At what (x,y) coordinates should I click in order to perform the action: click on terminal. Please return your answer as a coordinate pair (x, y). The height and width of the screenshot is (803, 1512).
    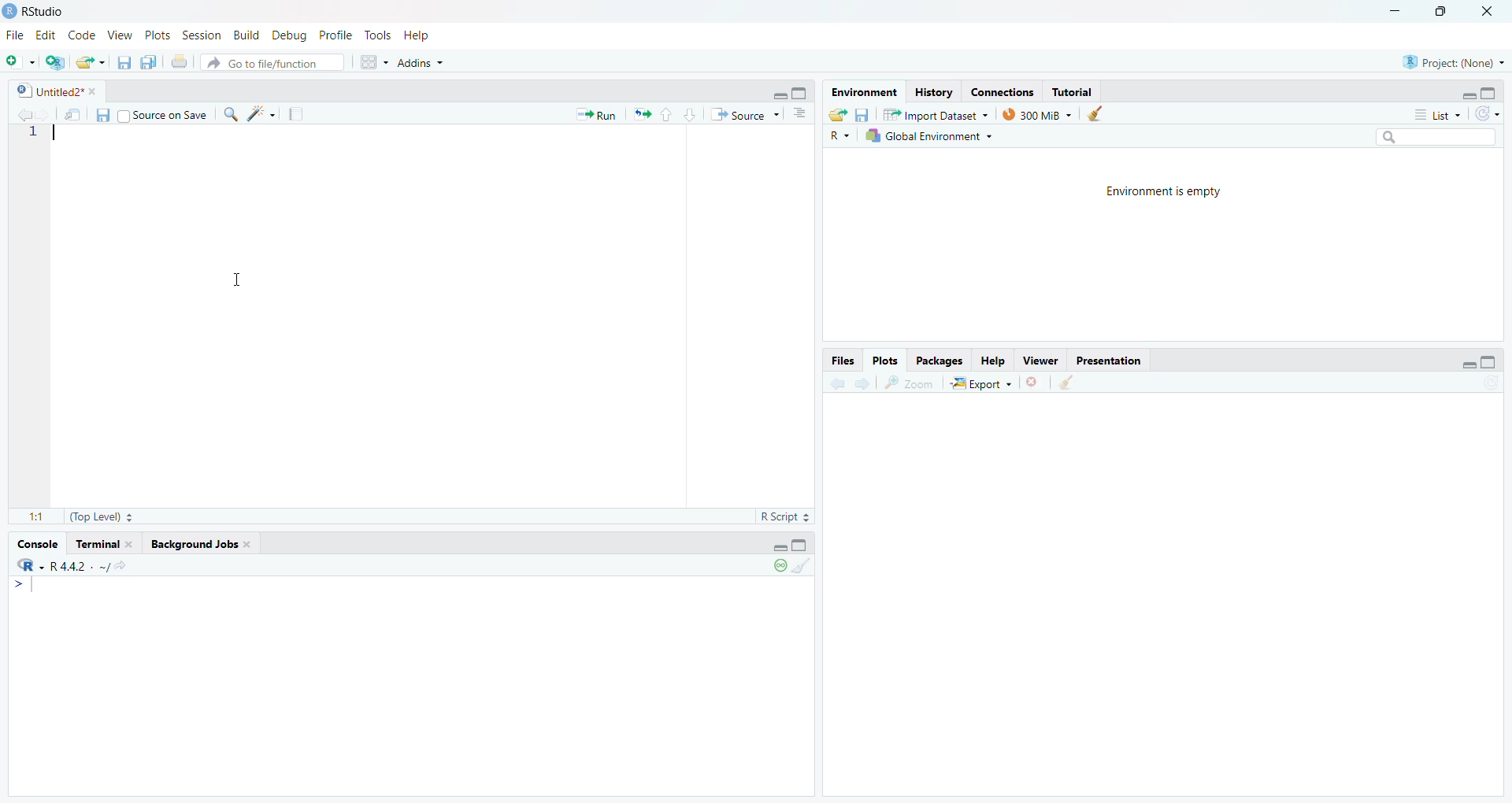
    Looking at the image, I should click on (103, 546).